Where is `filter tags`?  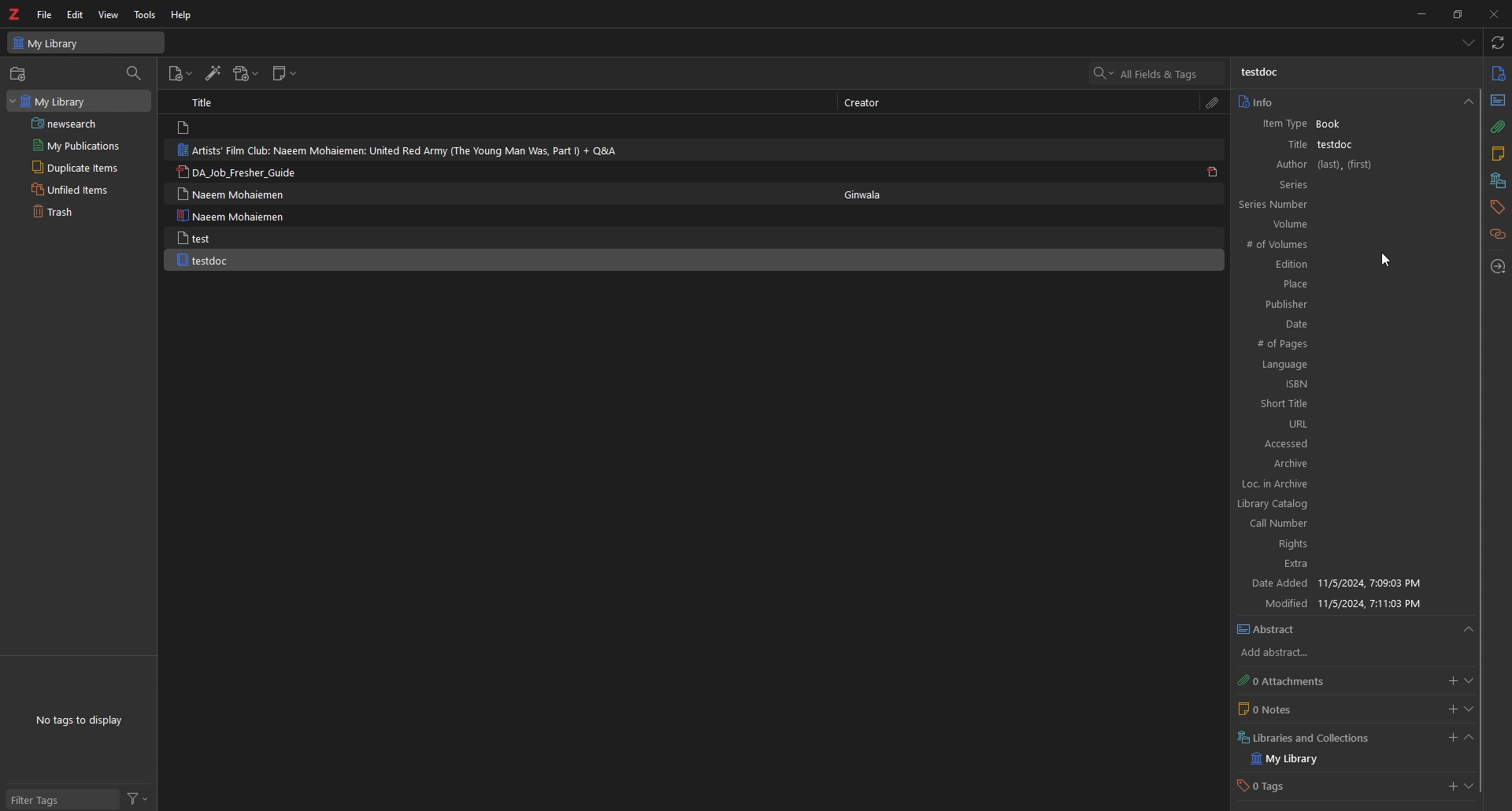 filter tags is located at coordinates (64, 799).